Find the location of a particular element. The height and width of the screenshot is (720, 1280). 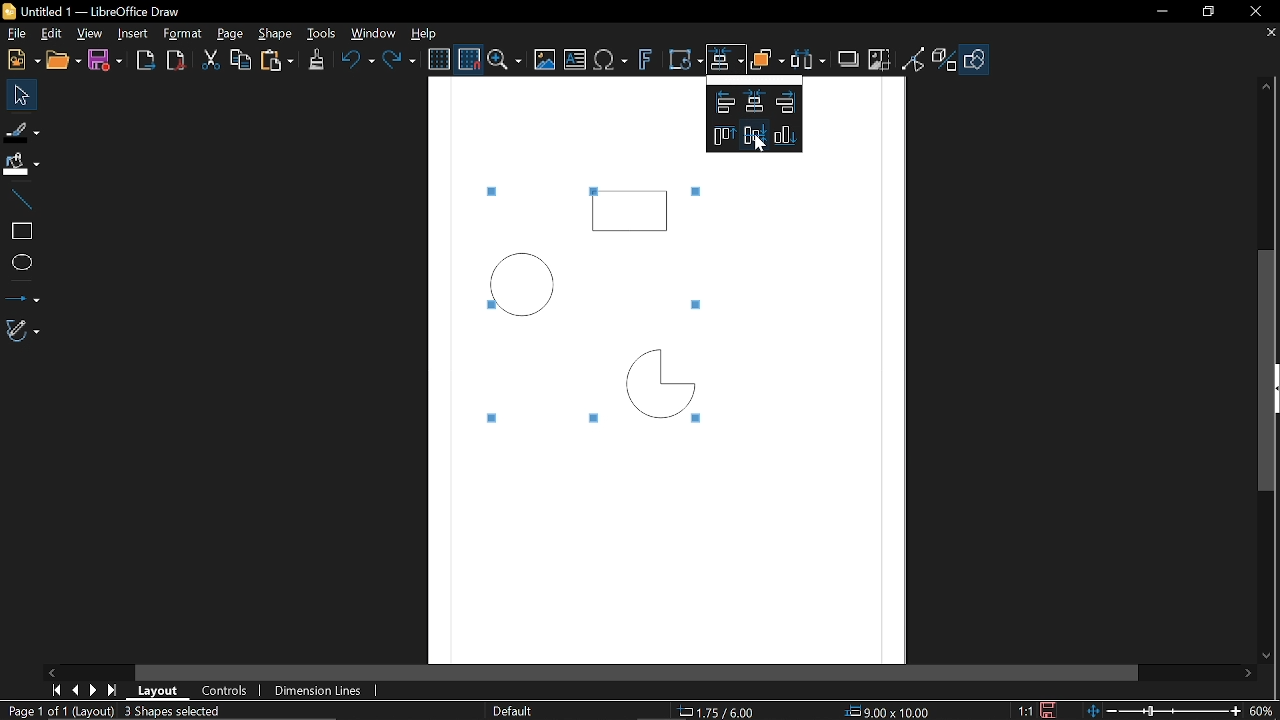

Align top is located at coordinates (724, 137).